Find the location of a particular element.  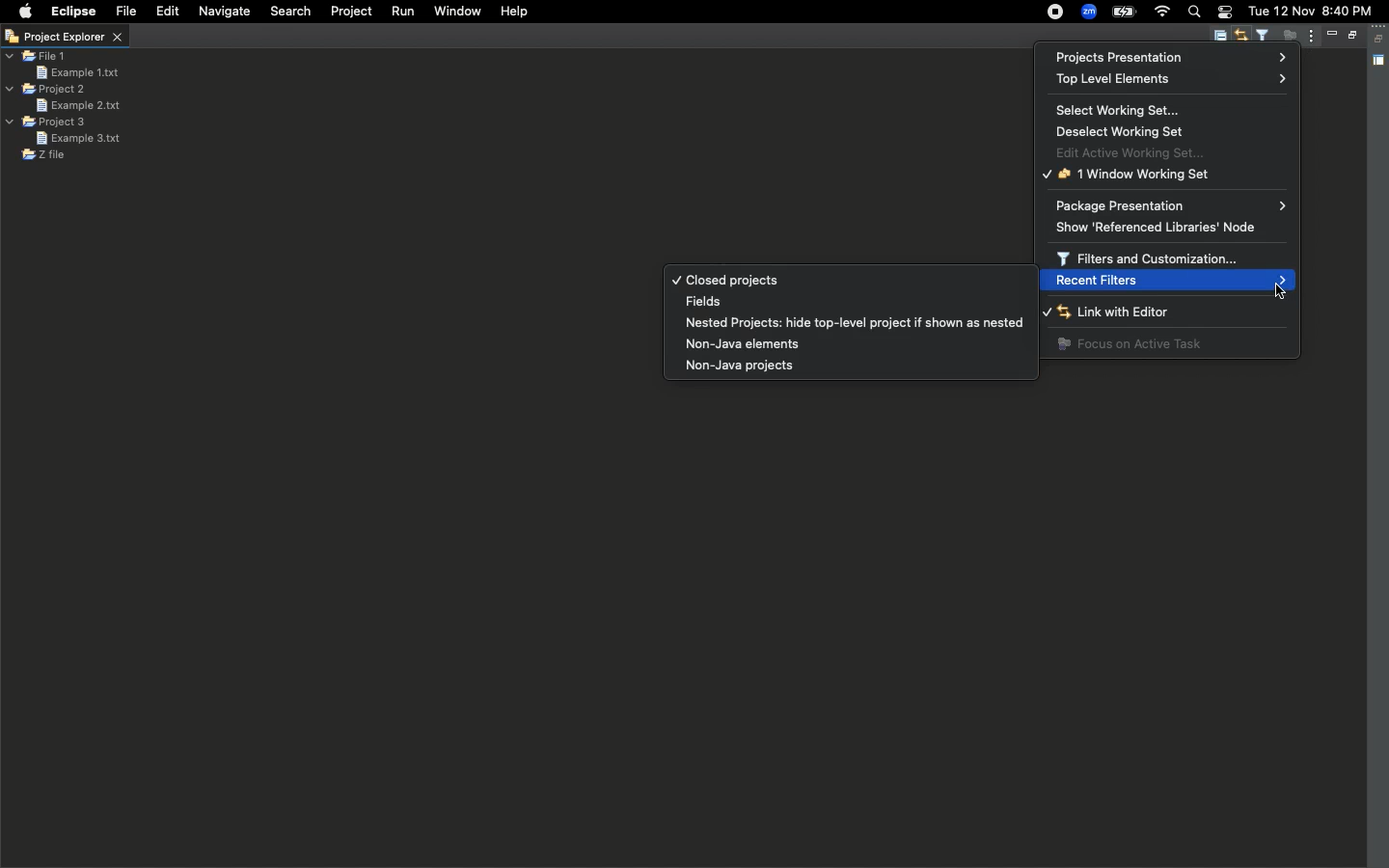

Project 2 is located at coordinates (46, 89).